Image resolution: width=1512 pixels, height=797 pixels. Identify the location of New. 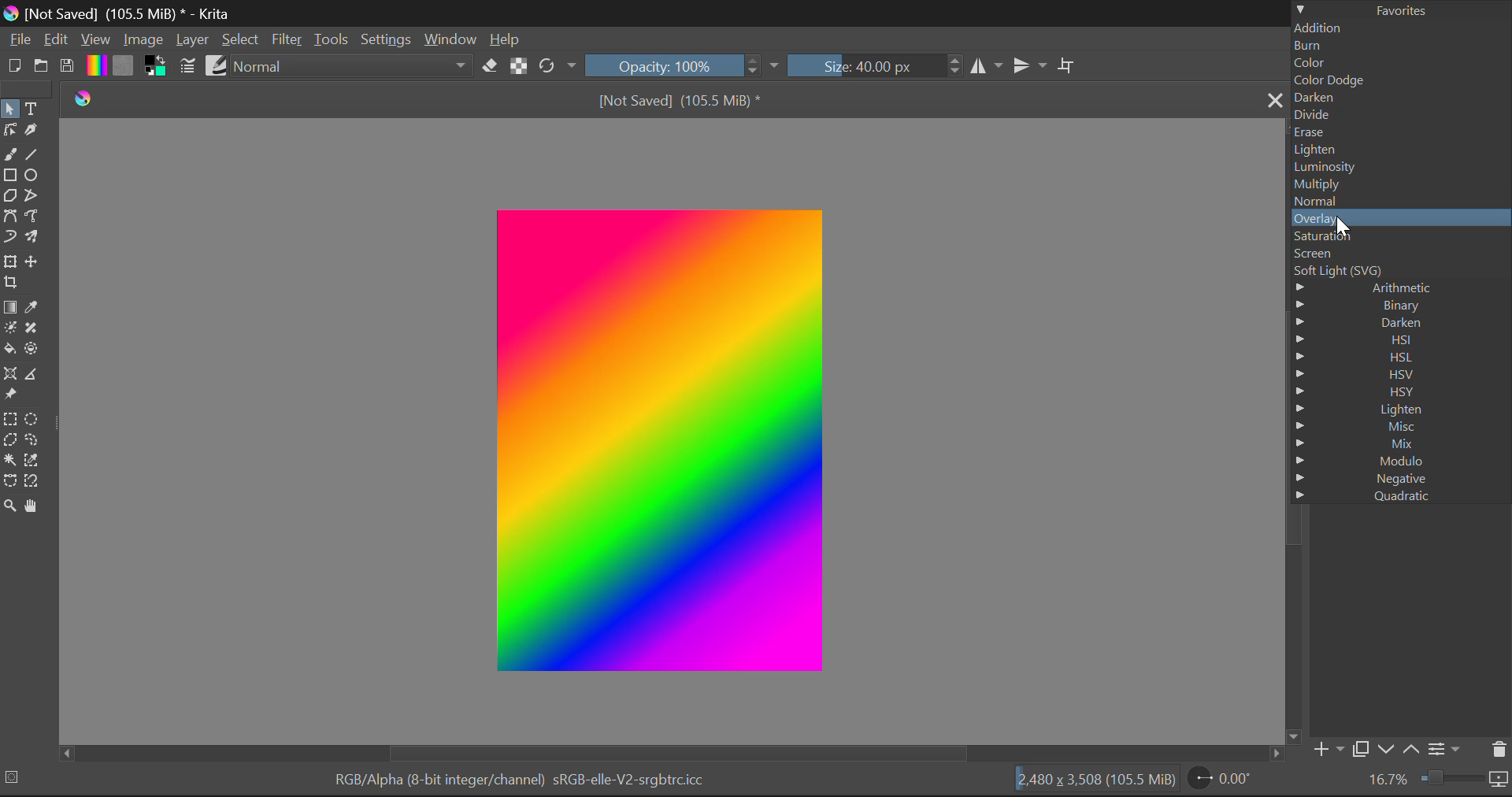
(15, 67).